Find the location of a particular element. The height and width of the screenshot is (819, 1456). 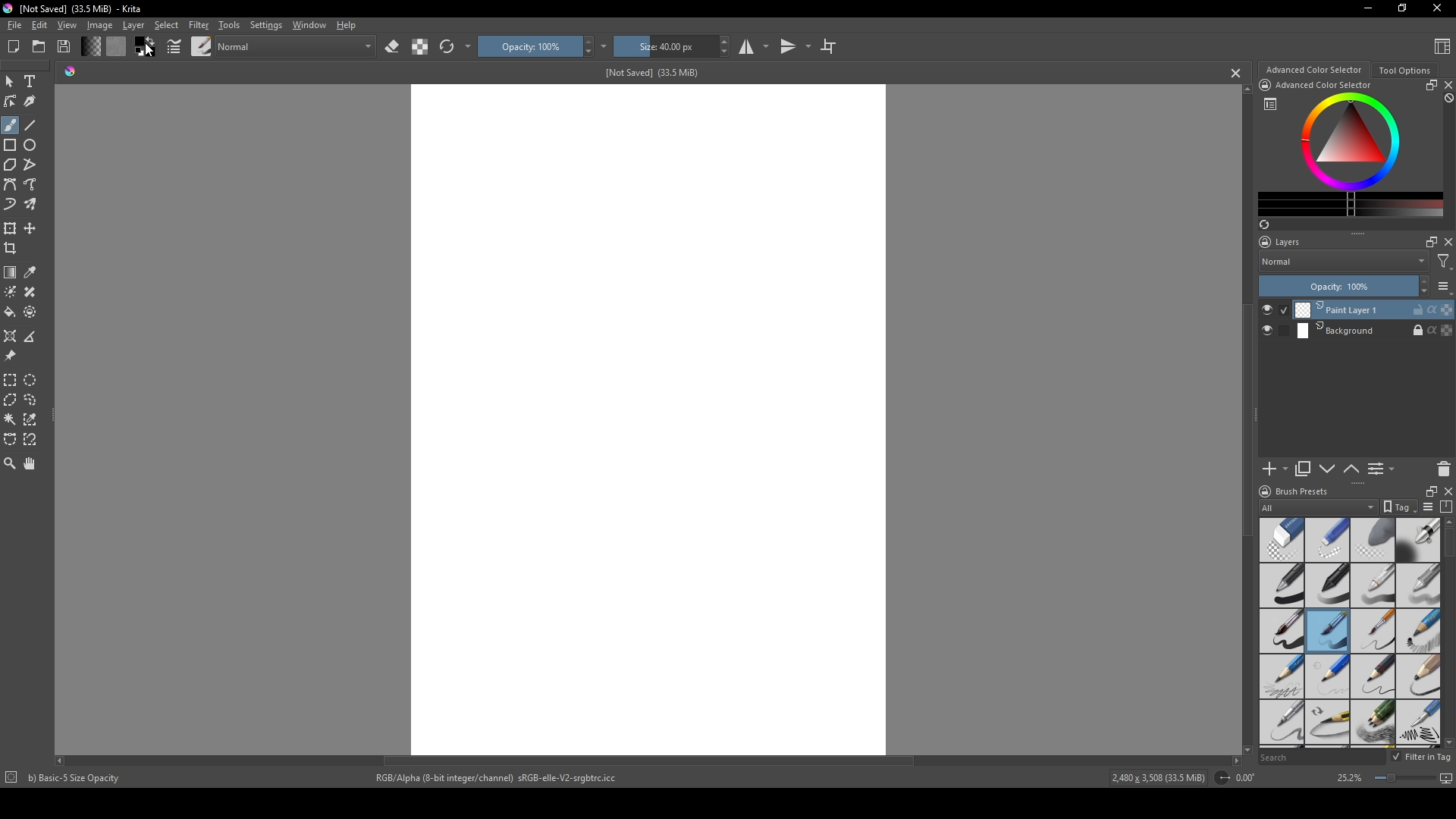

pen is located at coordinates (1281, 586).